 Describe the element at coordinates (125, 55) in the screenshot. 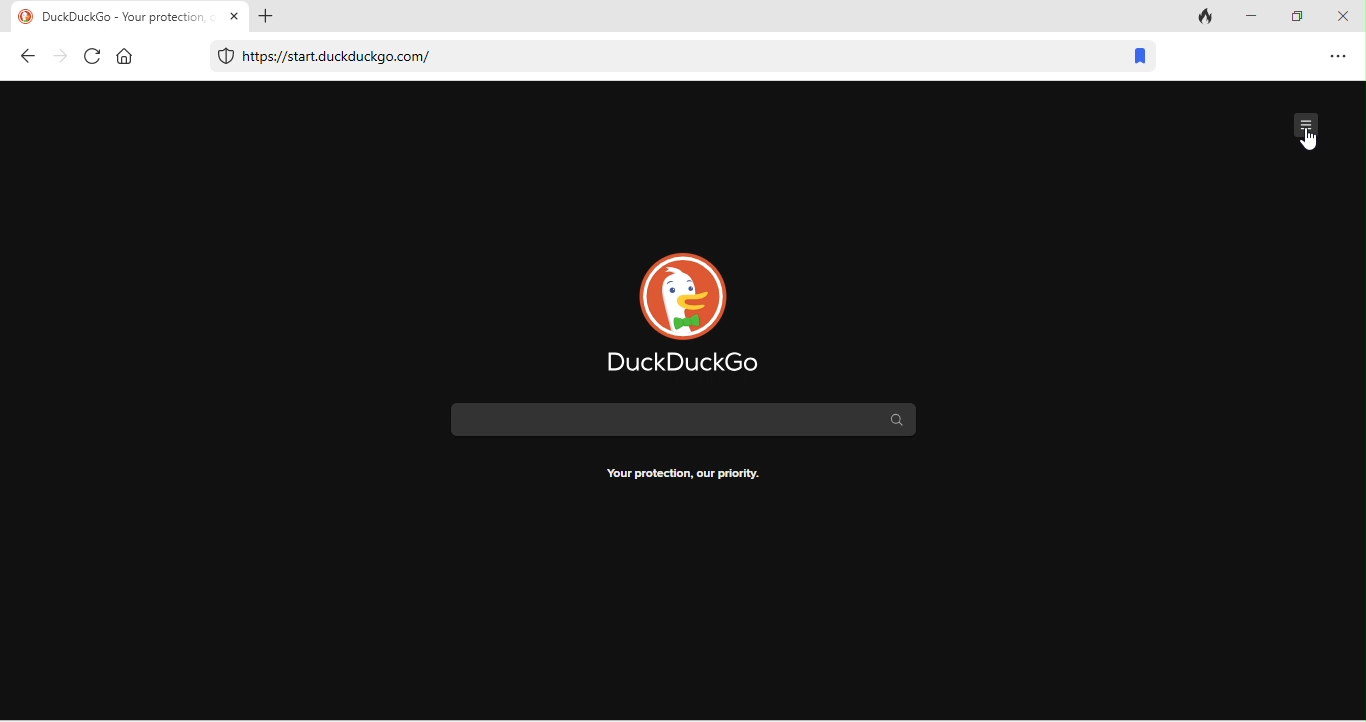

I see `home` at that location.